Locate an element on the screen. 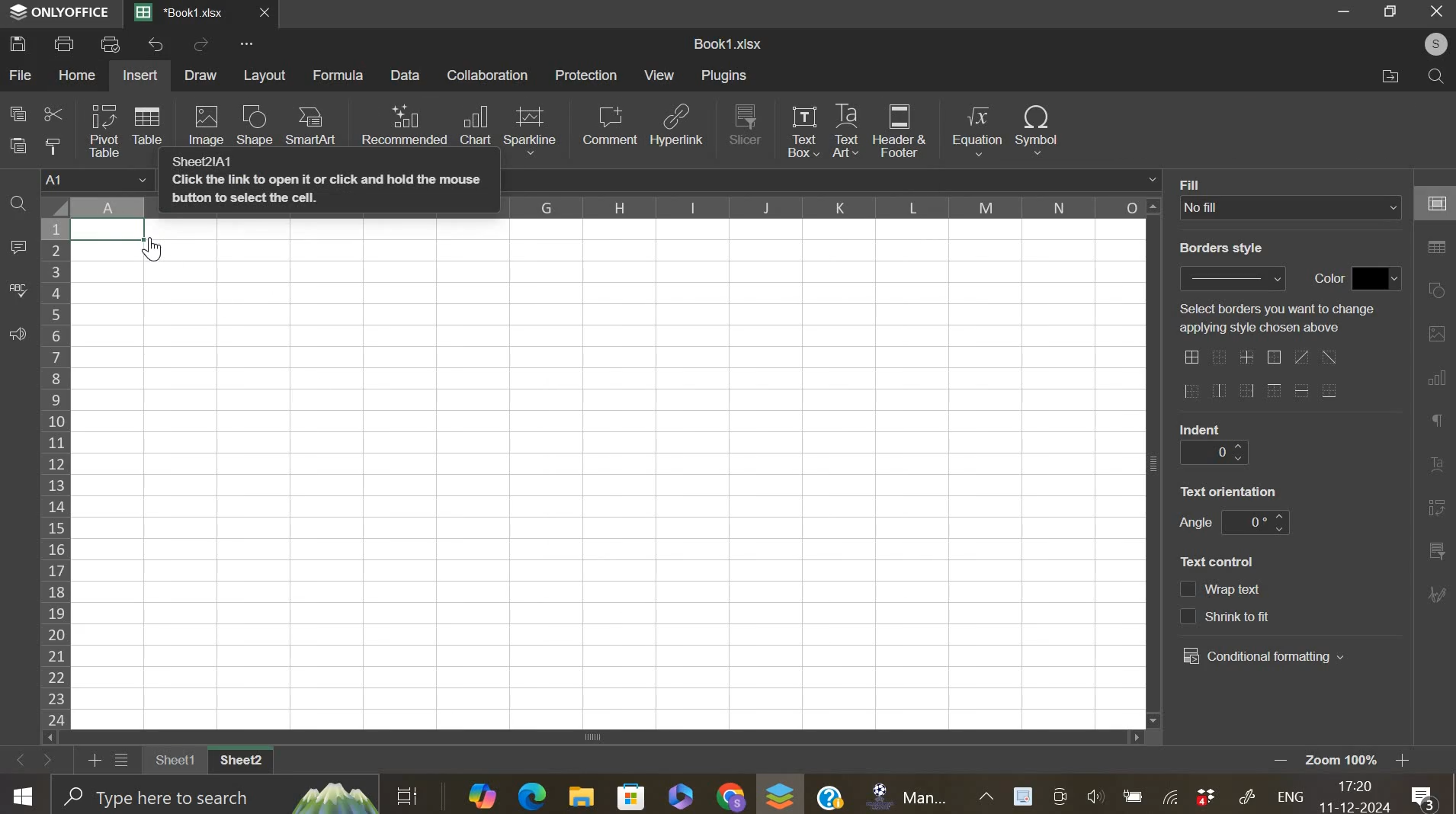  row is located at coordinates (54, 473).